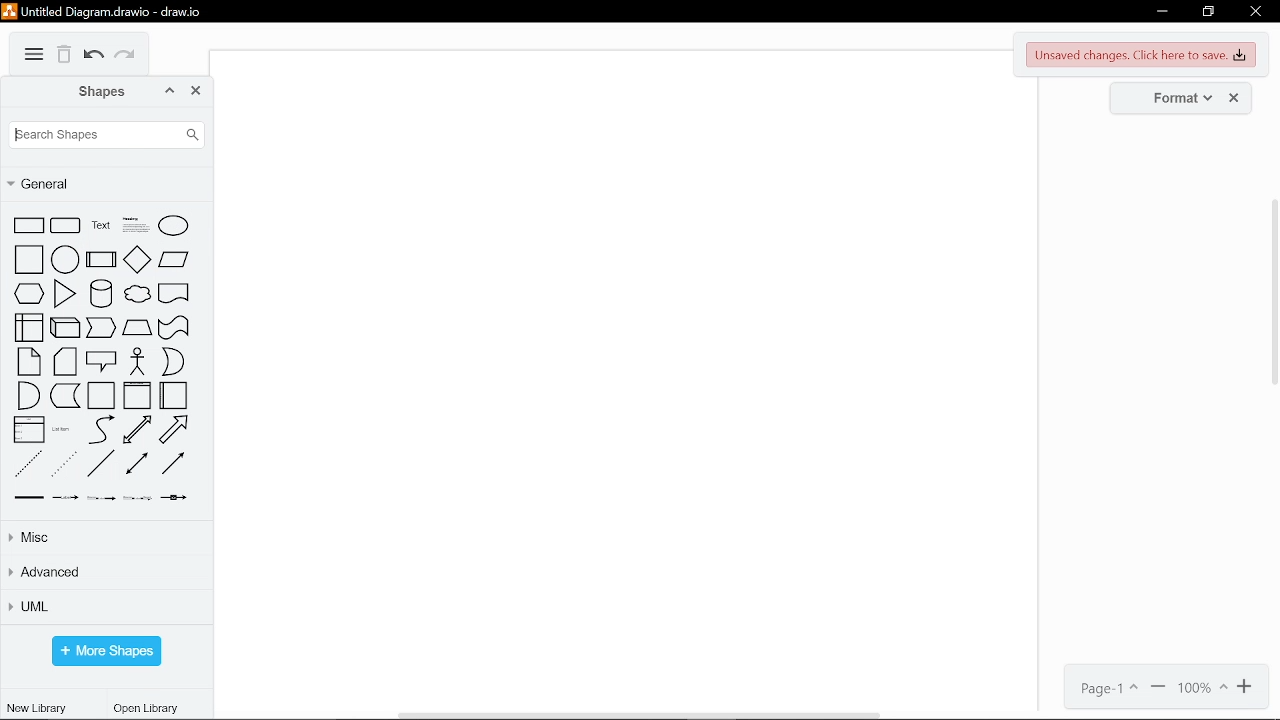  I want to click on rounded rectangle, so click(66, 227).